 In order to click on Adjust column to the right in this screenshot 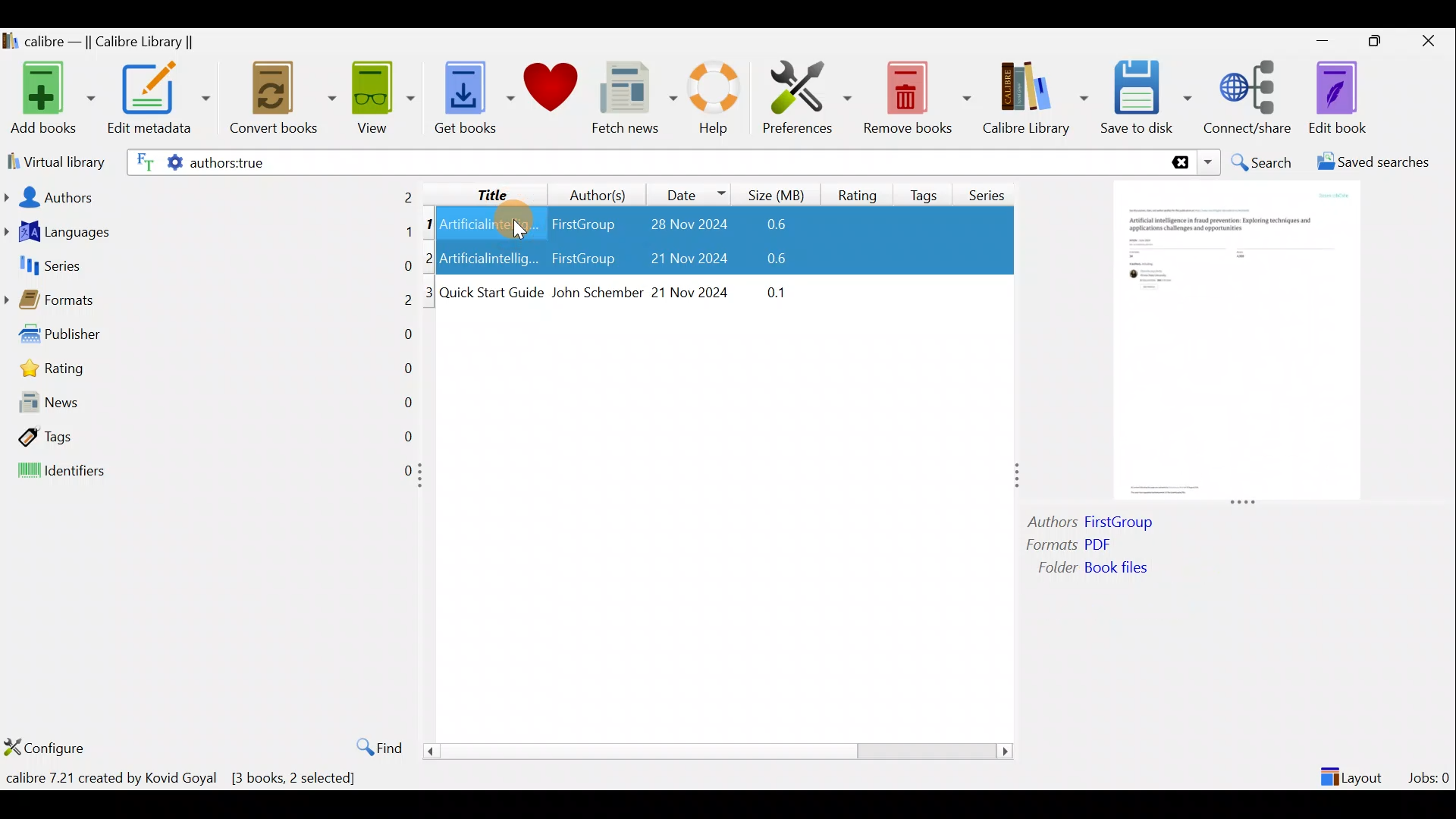, I will do `click(1018, 477)`.